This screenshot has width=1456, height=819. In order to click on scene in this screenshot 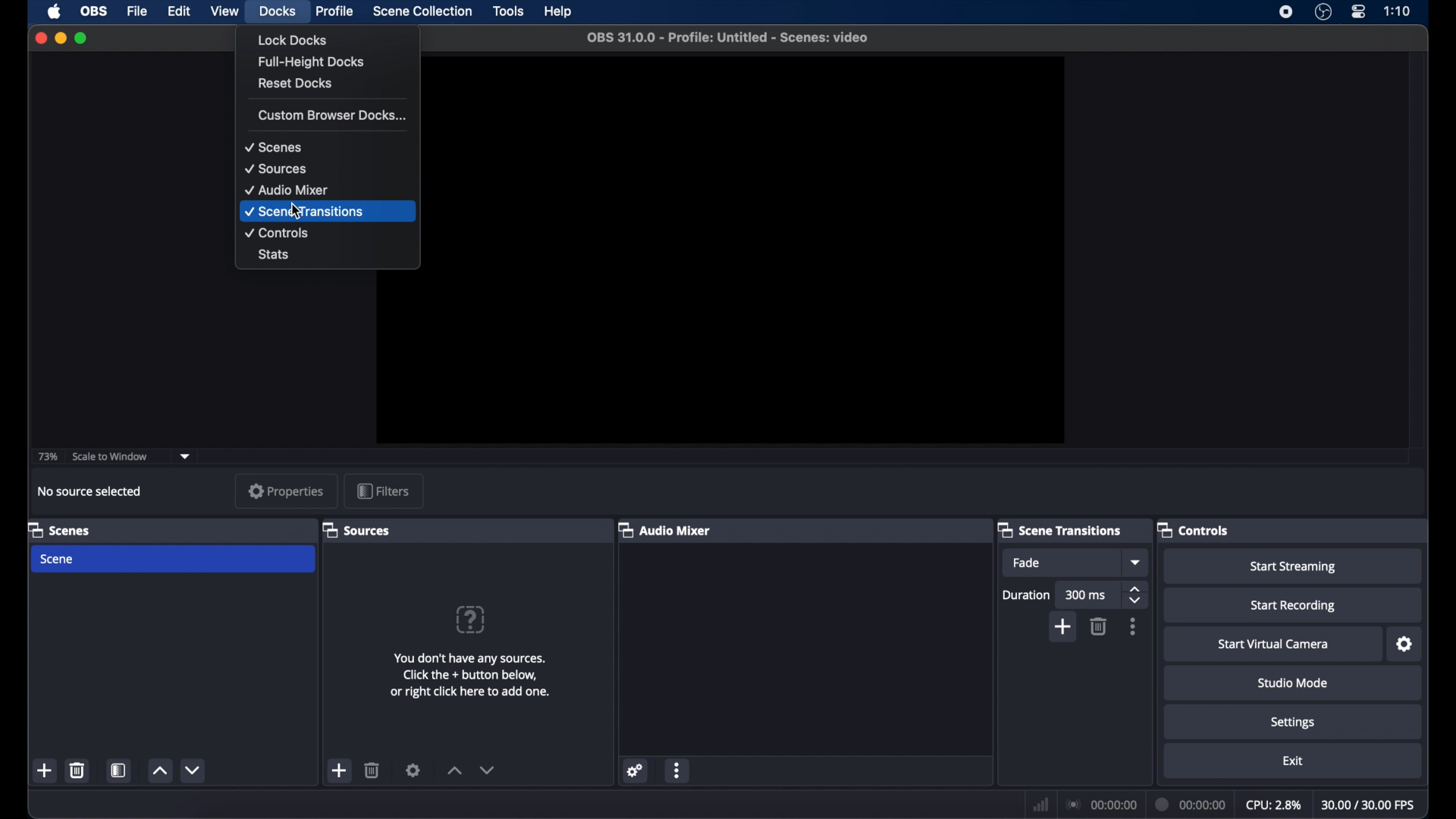, I will do `click(58, 560)`.